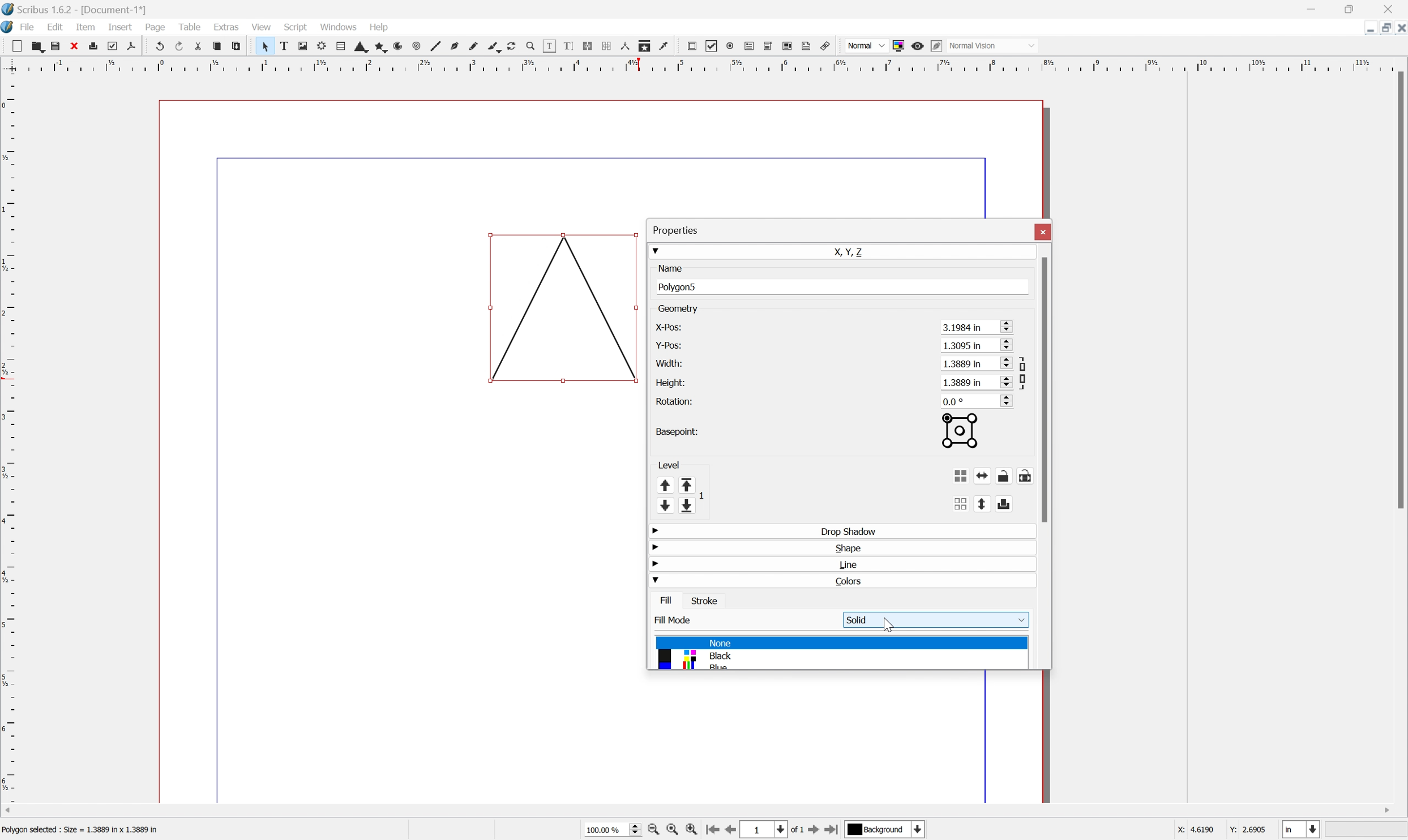 The width and height of the screenshot is (1408, 840). I want to click on Basepoint, so click(973, 432).